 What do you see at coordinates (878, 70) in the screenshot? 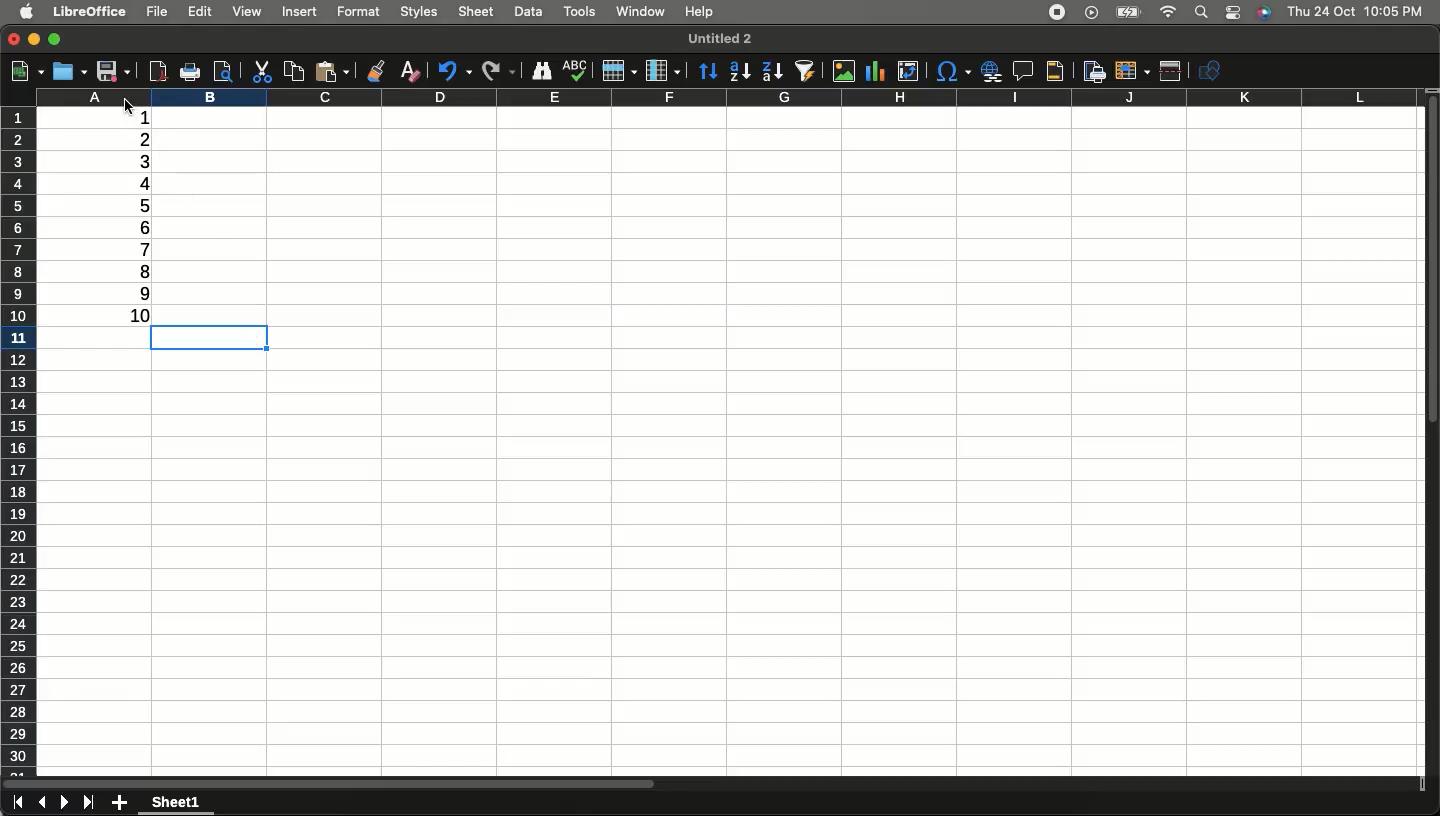
I see `Insert chart` at bounding box center [878, 70].